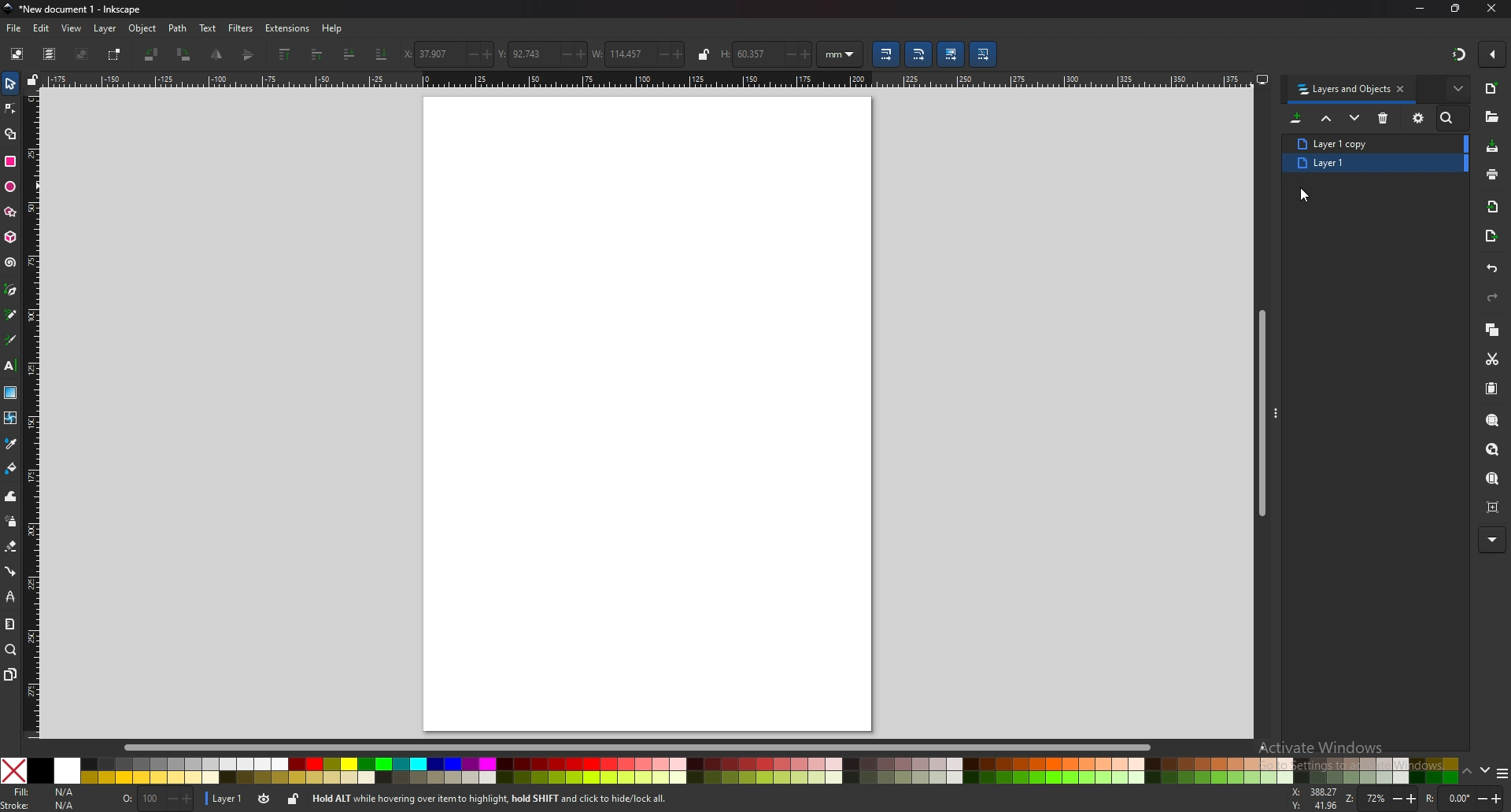  Describe the element at coordinates (142, 28) in the screenshot. I see `object` at that location.